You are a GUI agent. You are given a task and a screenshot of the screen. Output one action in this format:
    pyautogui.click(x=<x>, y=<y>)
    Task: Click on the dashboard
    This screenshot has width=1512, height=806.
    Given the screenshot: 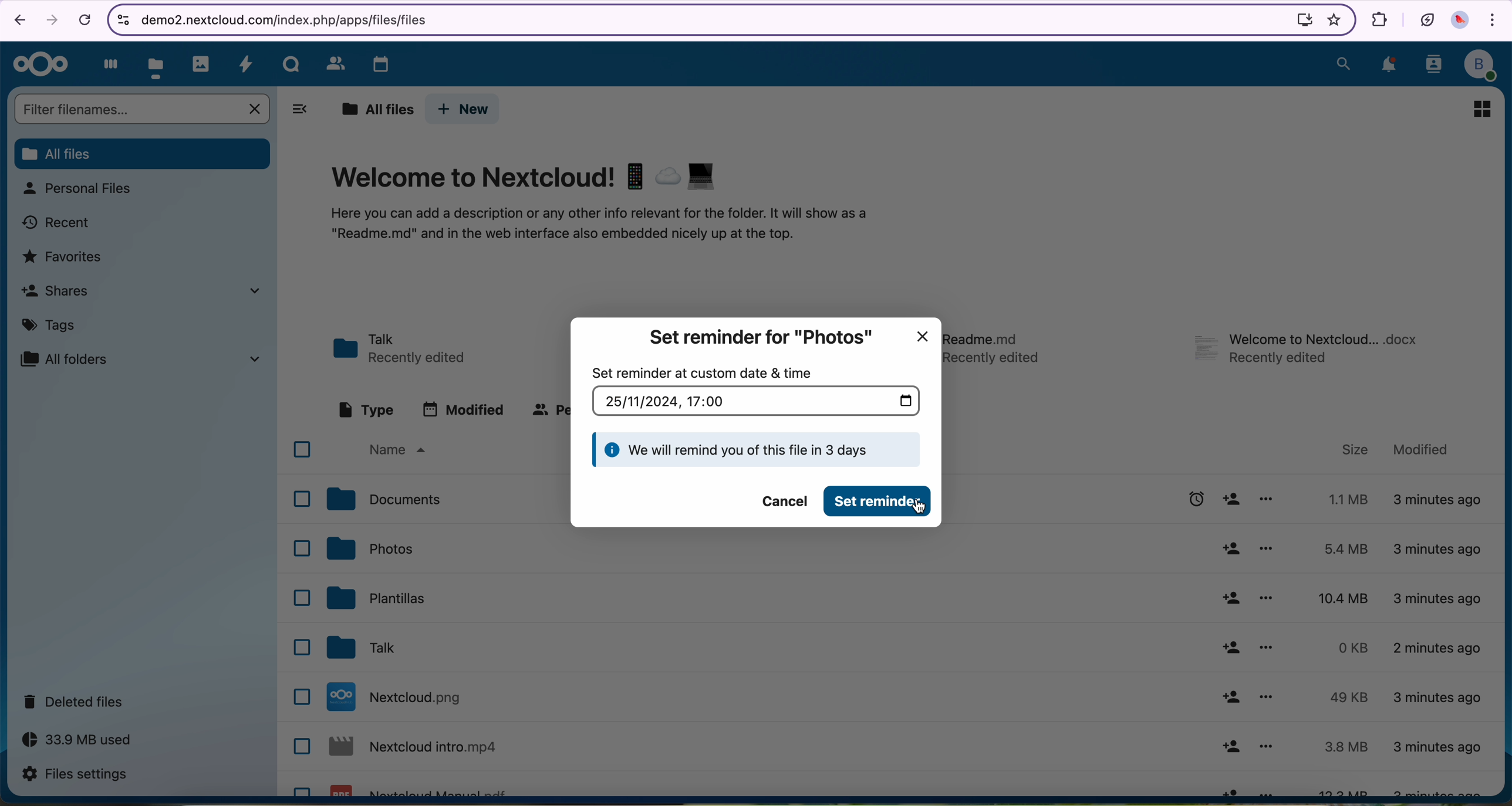 What is the action you would take?
    pyautogui.click(x=107, y=63)
    